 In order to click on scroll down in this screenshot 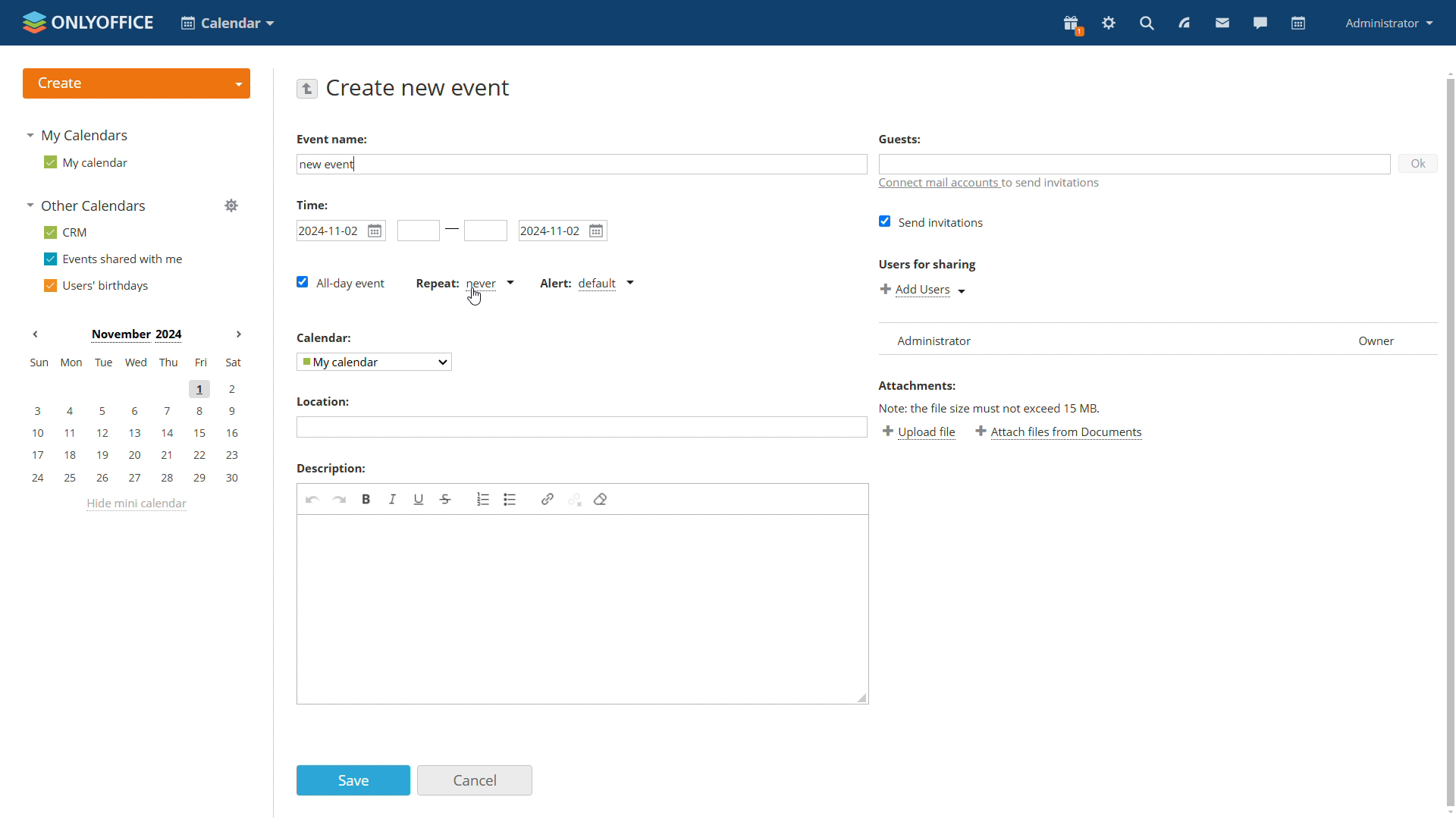, I will do `click(1447, 813)`.